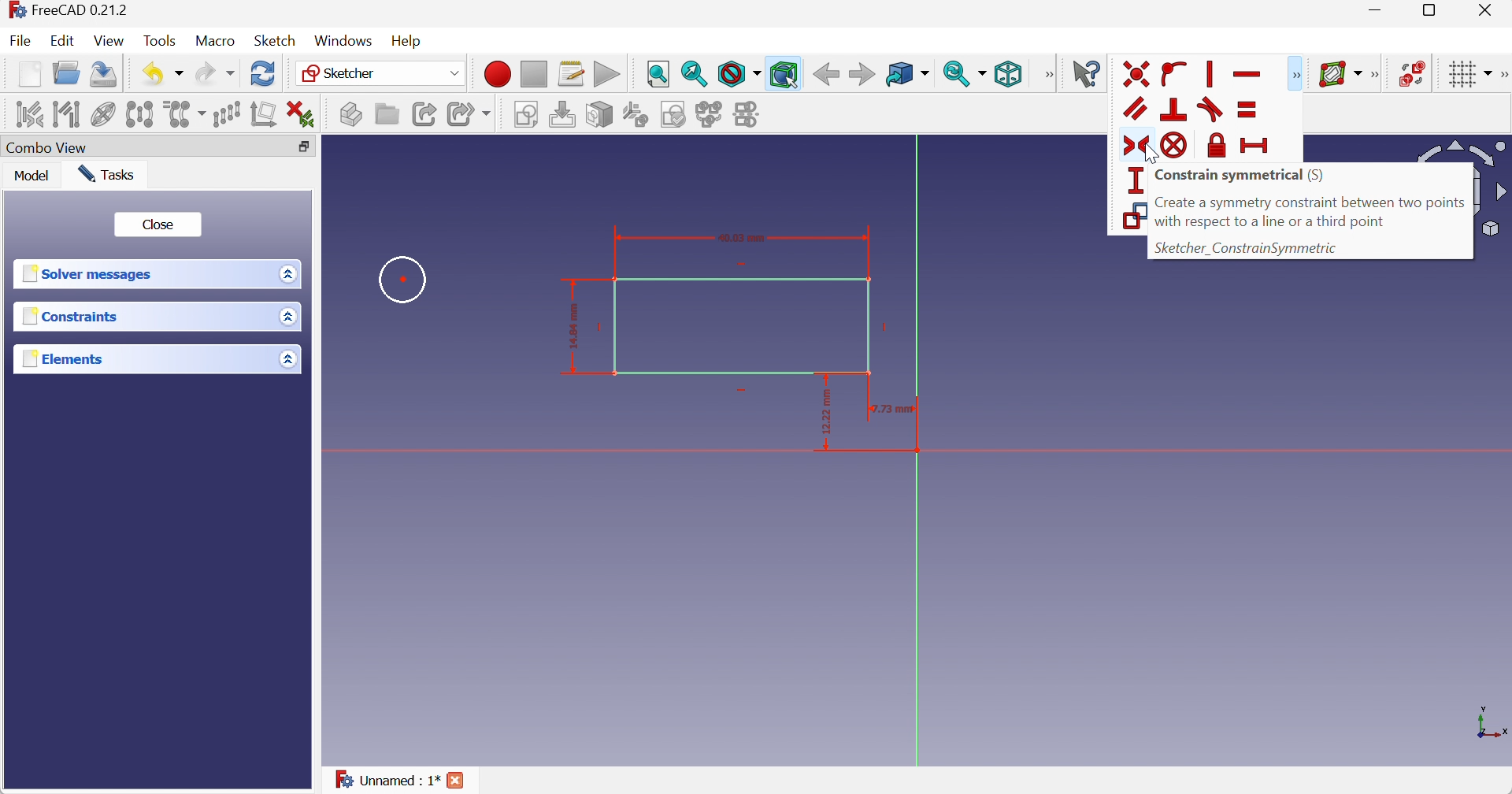  What do you see at coordinates (1175, 75) in the screenshot?
I see `Constrain point onto object` at bounding box center [1175, 75].